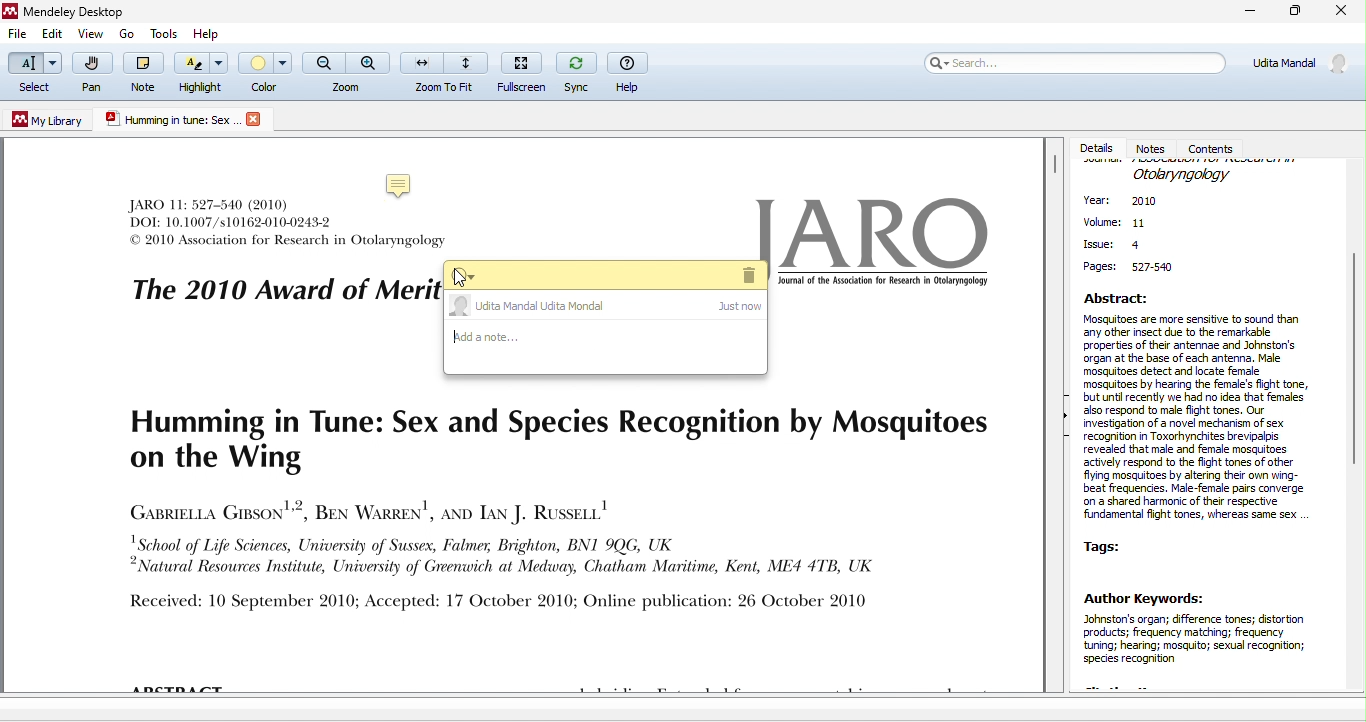 The width and height of the screenshot is (1366, 722). Describe the element at coordinates (574, 71) in the screenshot. I see `sync` at that location.